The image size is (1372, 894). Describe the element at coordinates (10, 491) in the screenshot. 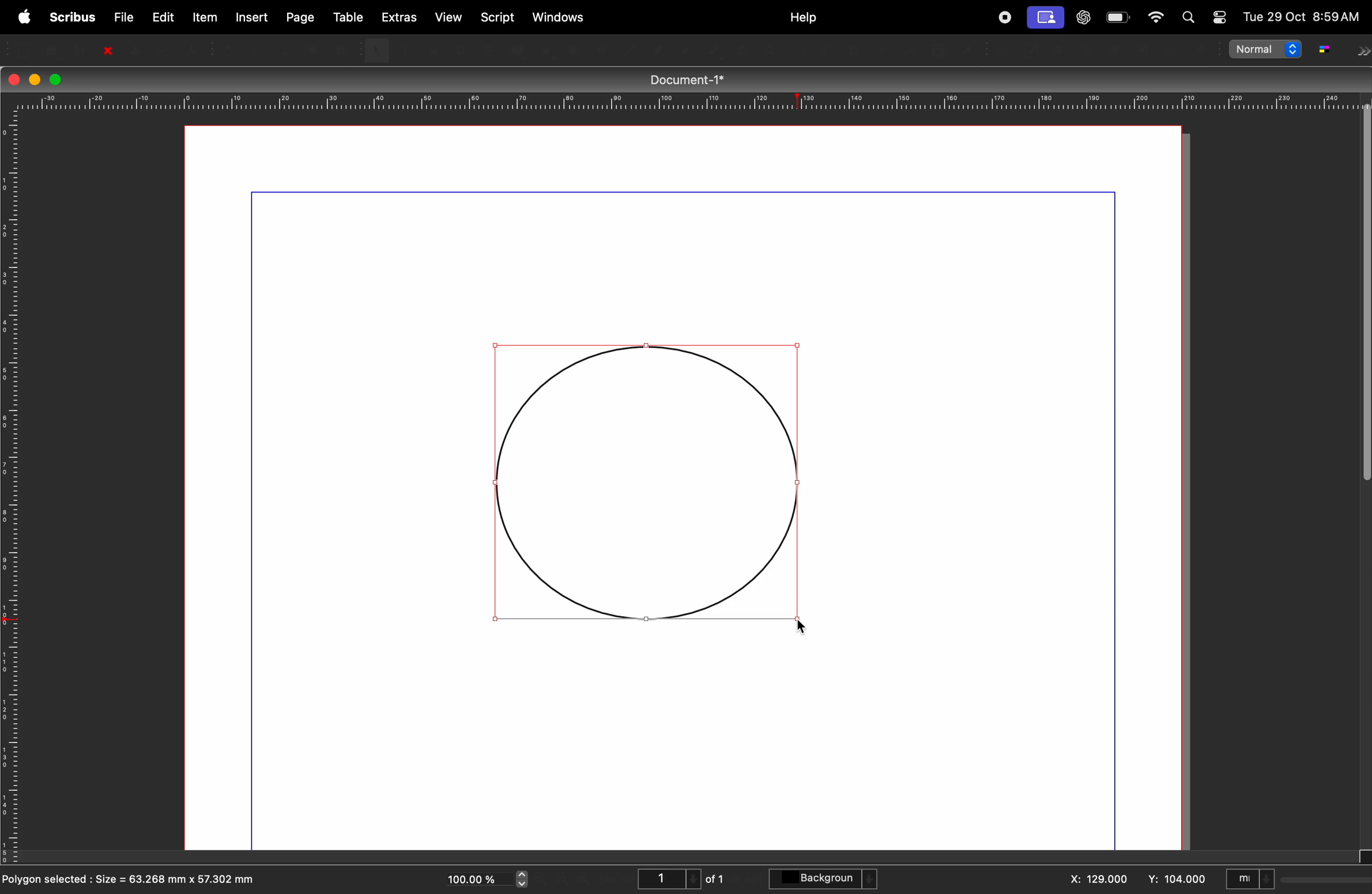

I see `vertical scale` at that location.